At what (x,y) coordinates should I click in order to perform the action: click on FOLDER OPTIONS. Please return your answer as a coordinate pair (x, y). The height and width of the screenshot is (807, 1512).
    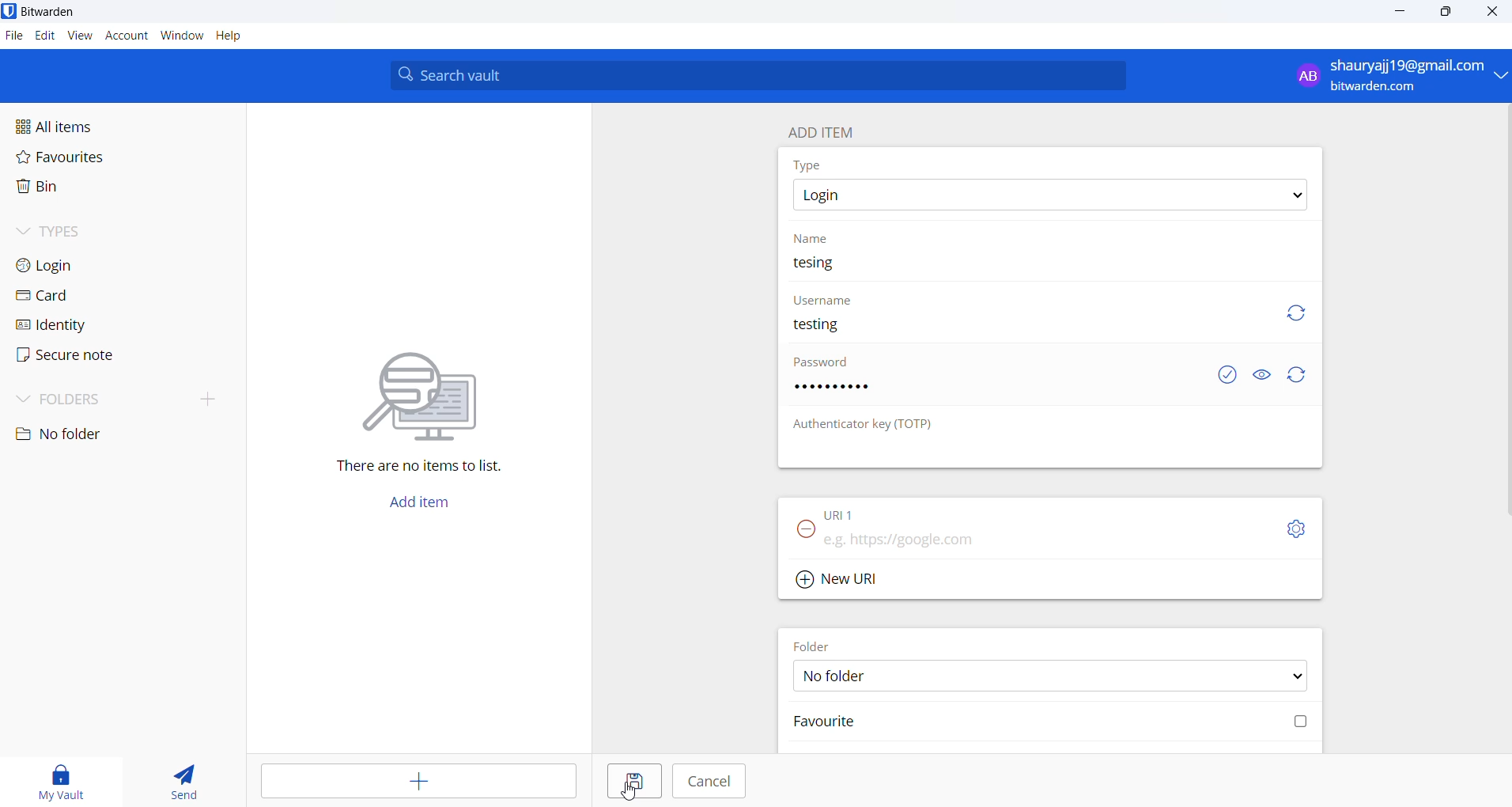
    Looking at the image, I should click on (1057, 675).